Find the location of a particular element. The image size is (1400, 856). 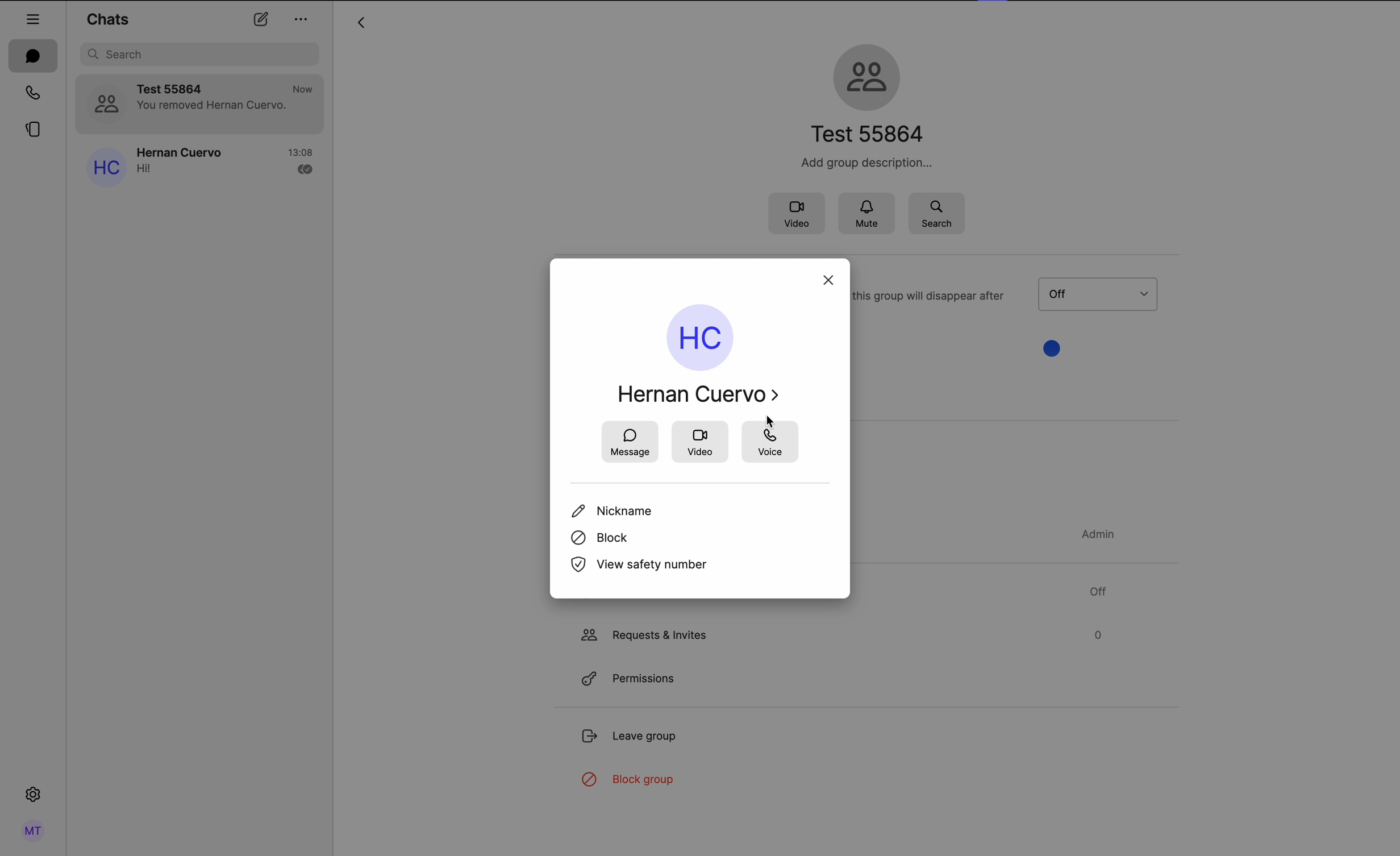

voice button is located at coordinates (770, 444).